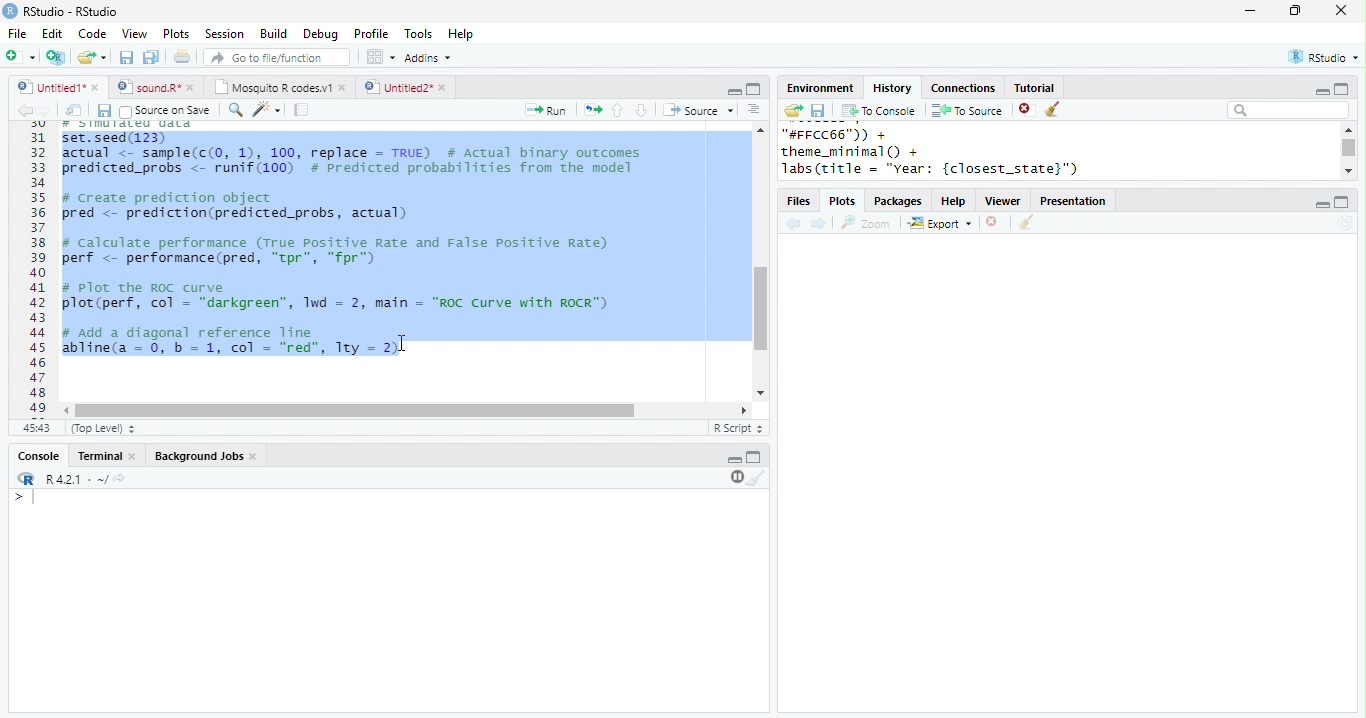 The image size is (1366, 718). What do you see at coordinates (819, 88) in the screenshot?
I see `Environment` at bounding box center [819, 88].